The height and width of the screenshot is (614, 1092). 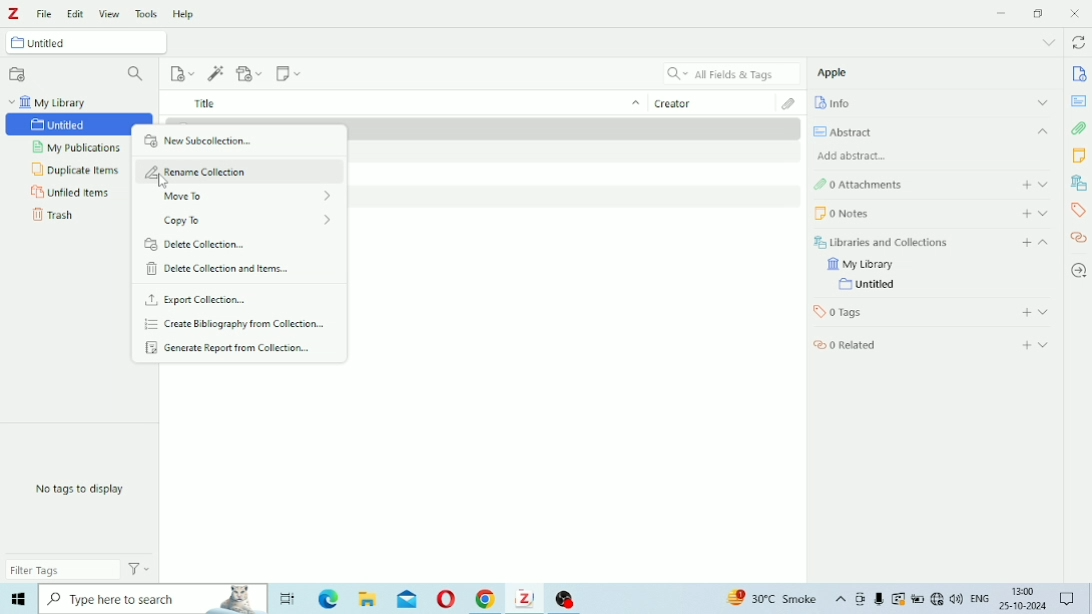 I want to click on Add Item (s) by Identifier, so click(x=216, y=72).